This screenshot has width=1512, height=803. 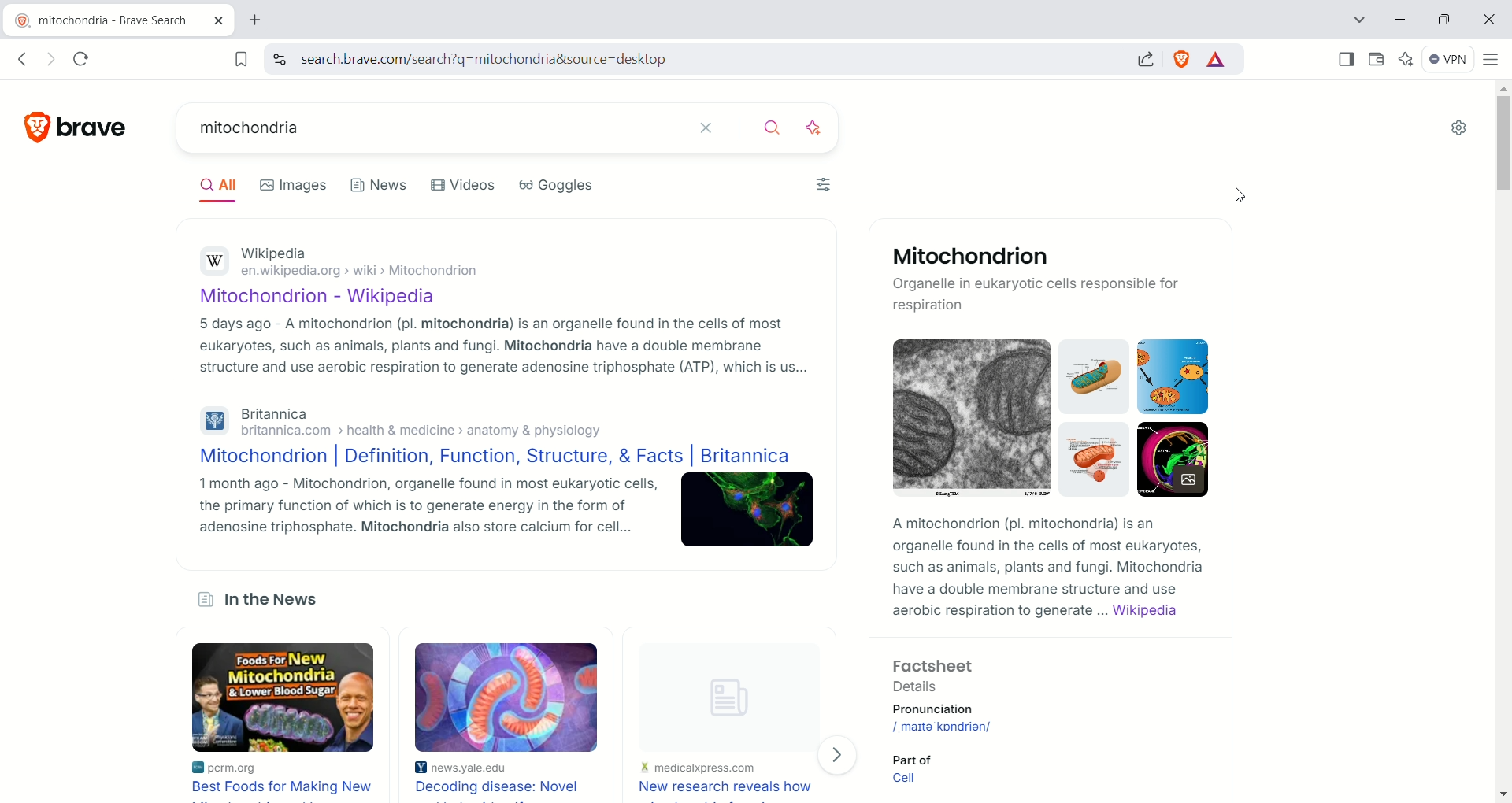 What do you see at coordinates (706, 125) in the screenshot?
I see `clear` at bounding box center [706, 125].